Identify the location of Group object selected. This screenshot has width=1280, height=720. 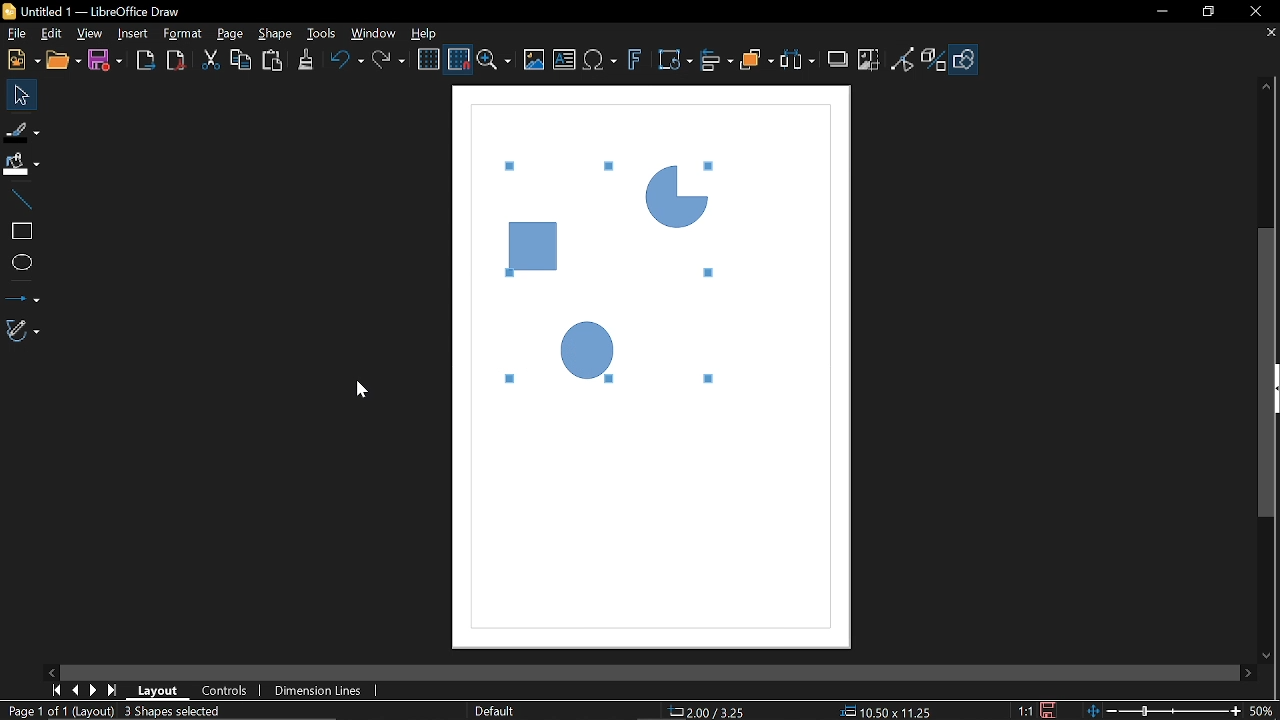
(193, 711).